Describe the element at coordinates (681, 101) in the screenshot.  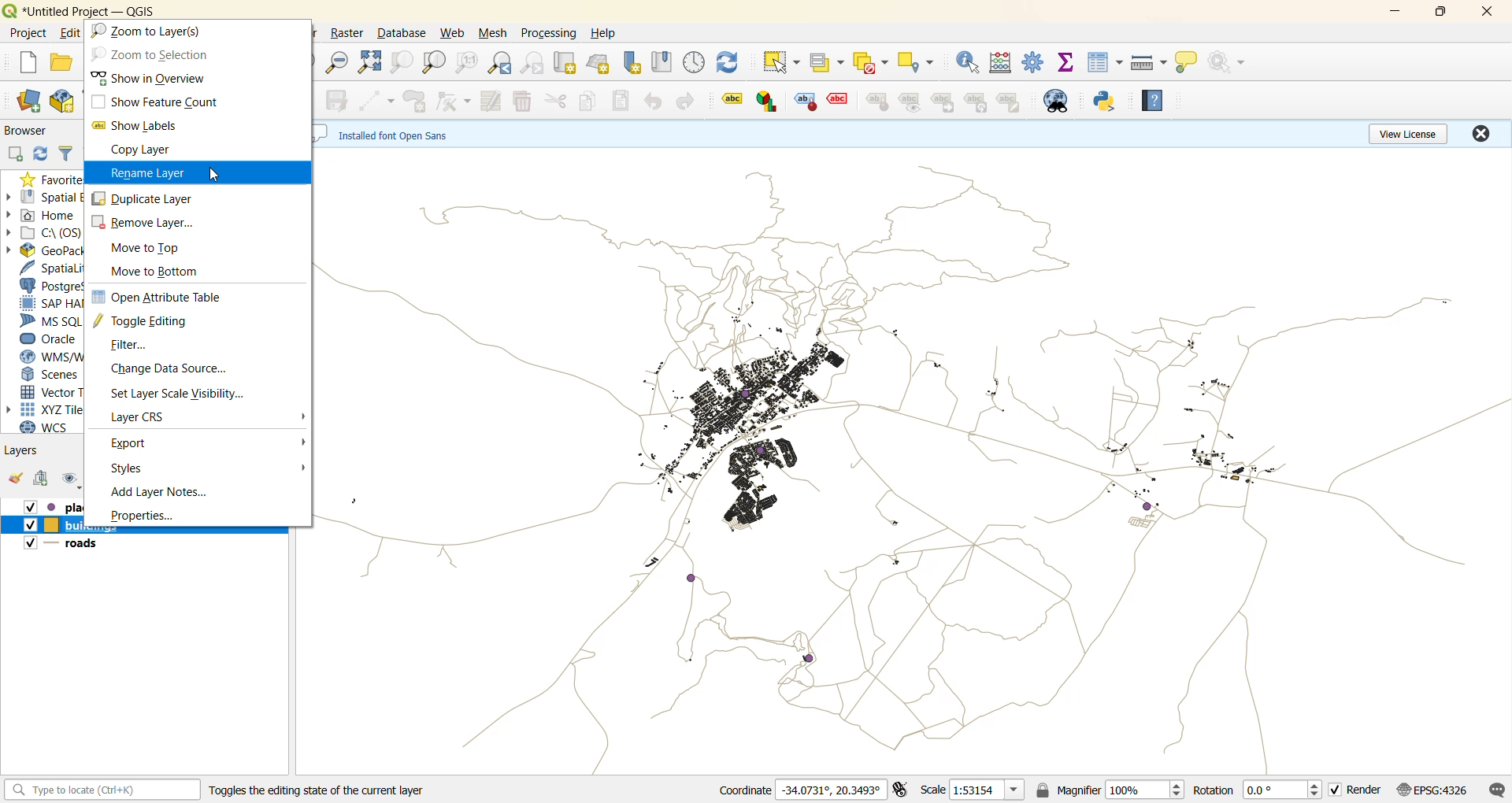
I see `redo` at that location.